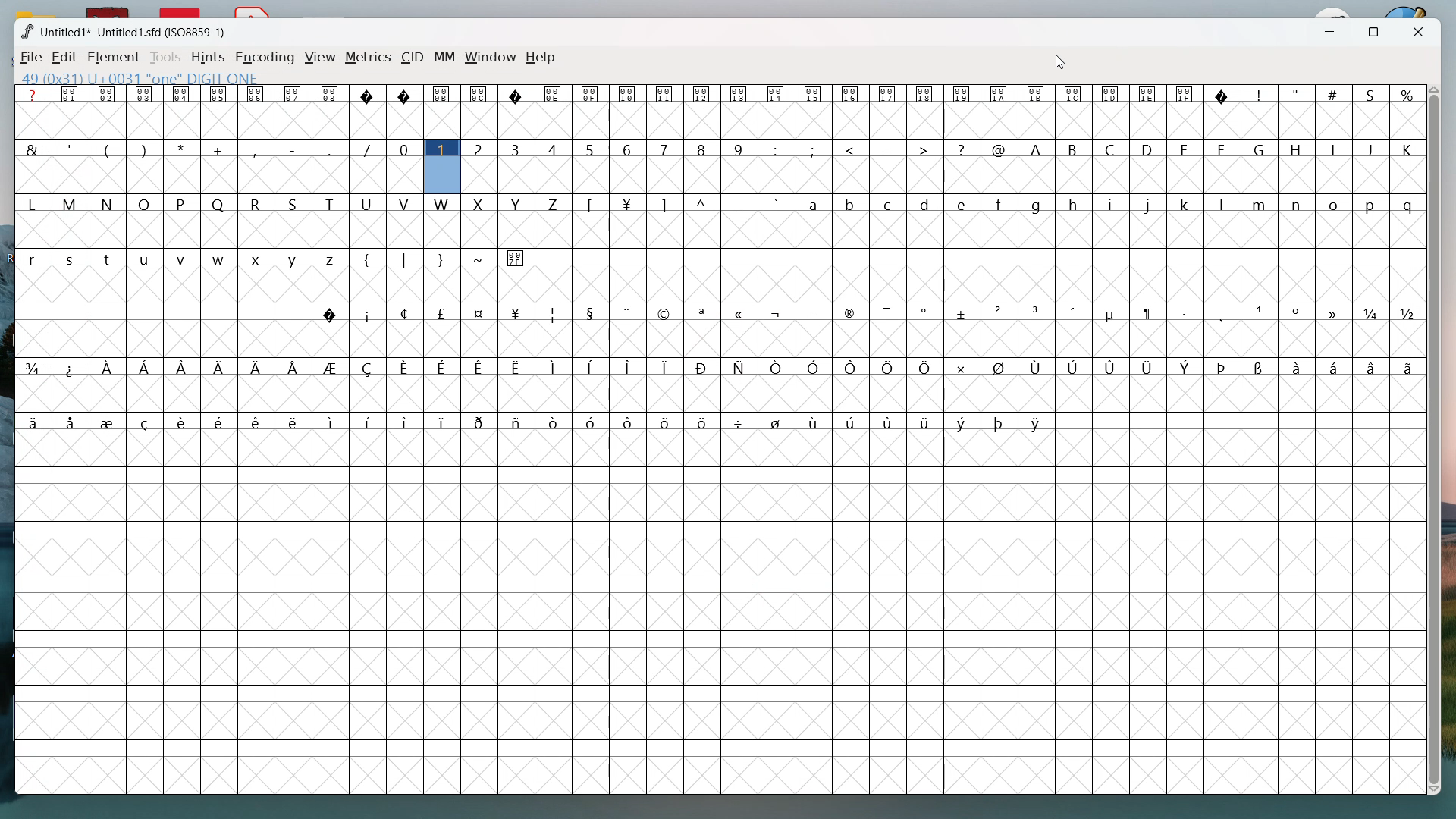 This screenshot has width=1456, height=819. I want to click on D, so click(1150, 149).